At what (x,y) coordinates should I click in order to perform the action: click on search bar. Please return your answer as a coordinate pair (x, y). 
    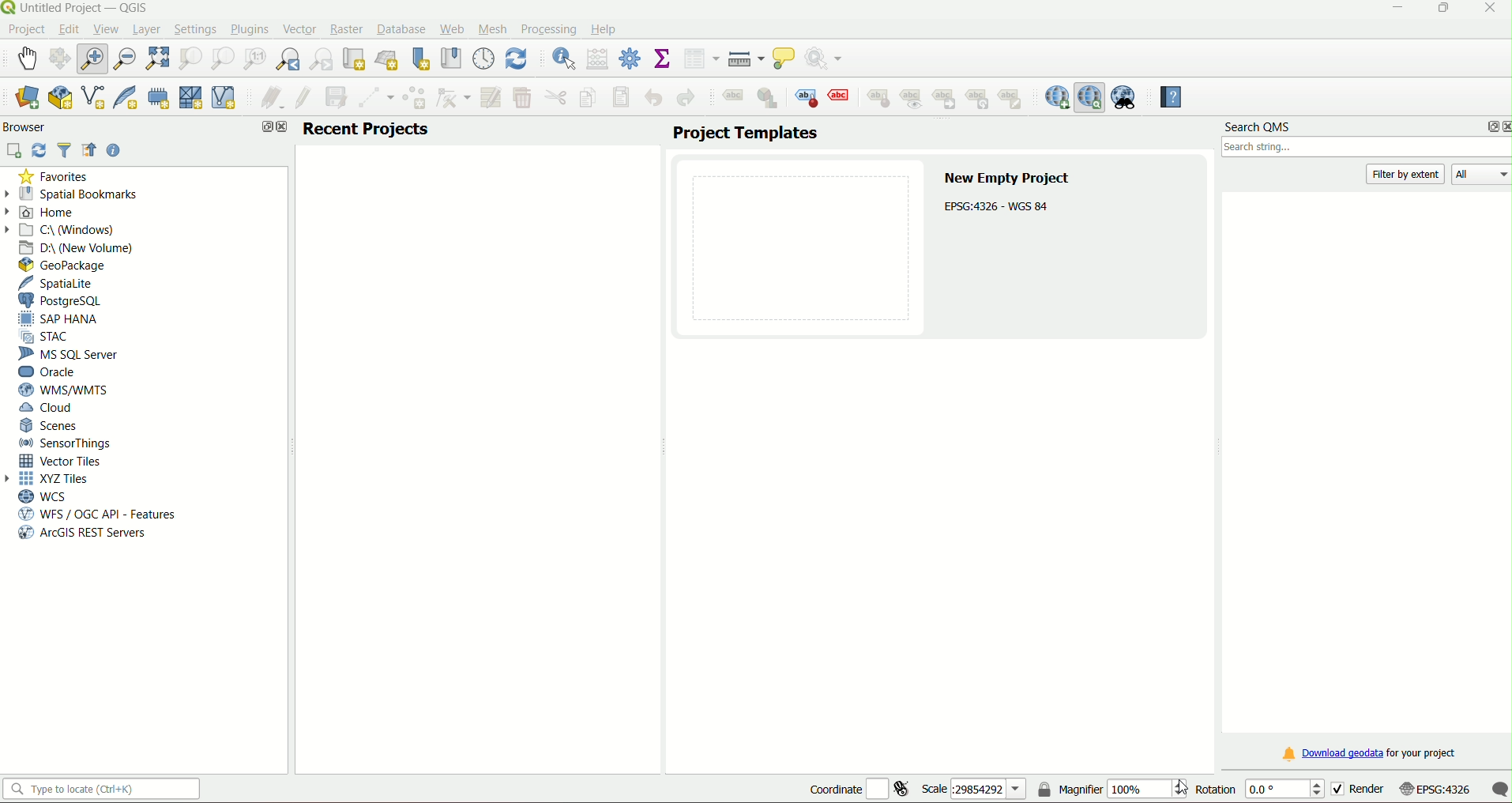
    Looking at the image, I should click on (1364, 149).